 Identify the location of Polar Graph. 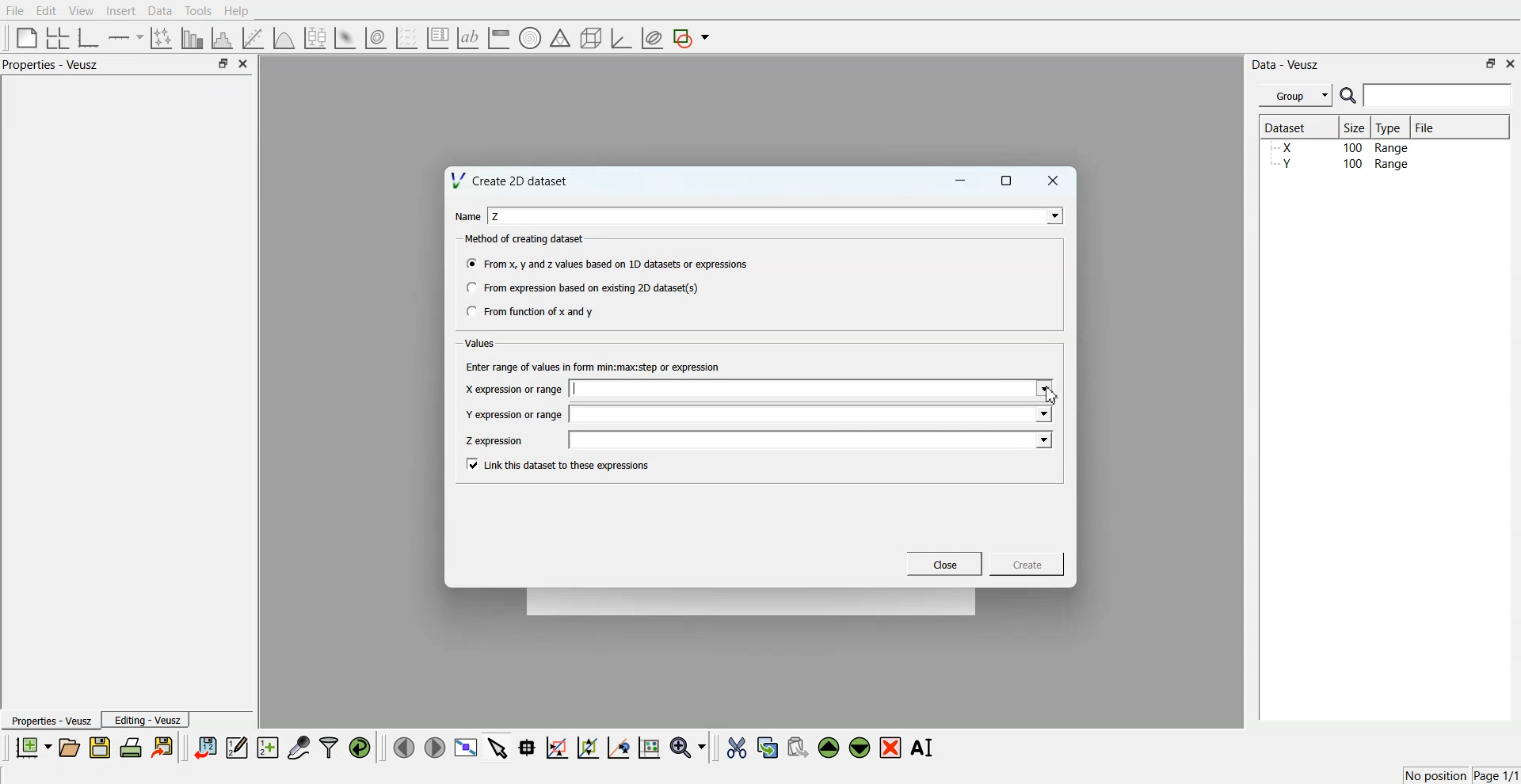
(530, 38).